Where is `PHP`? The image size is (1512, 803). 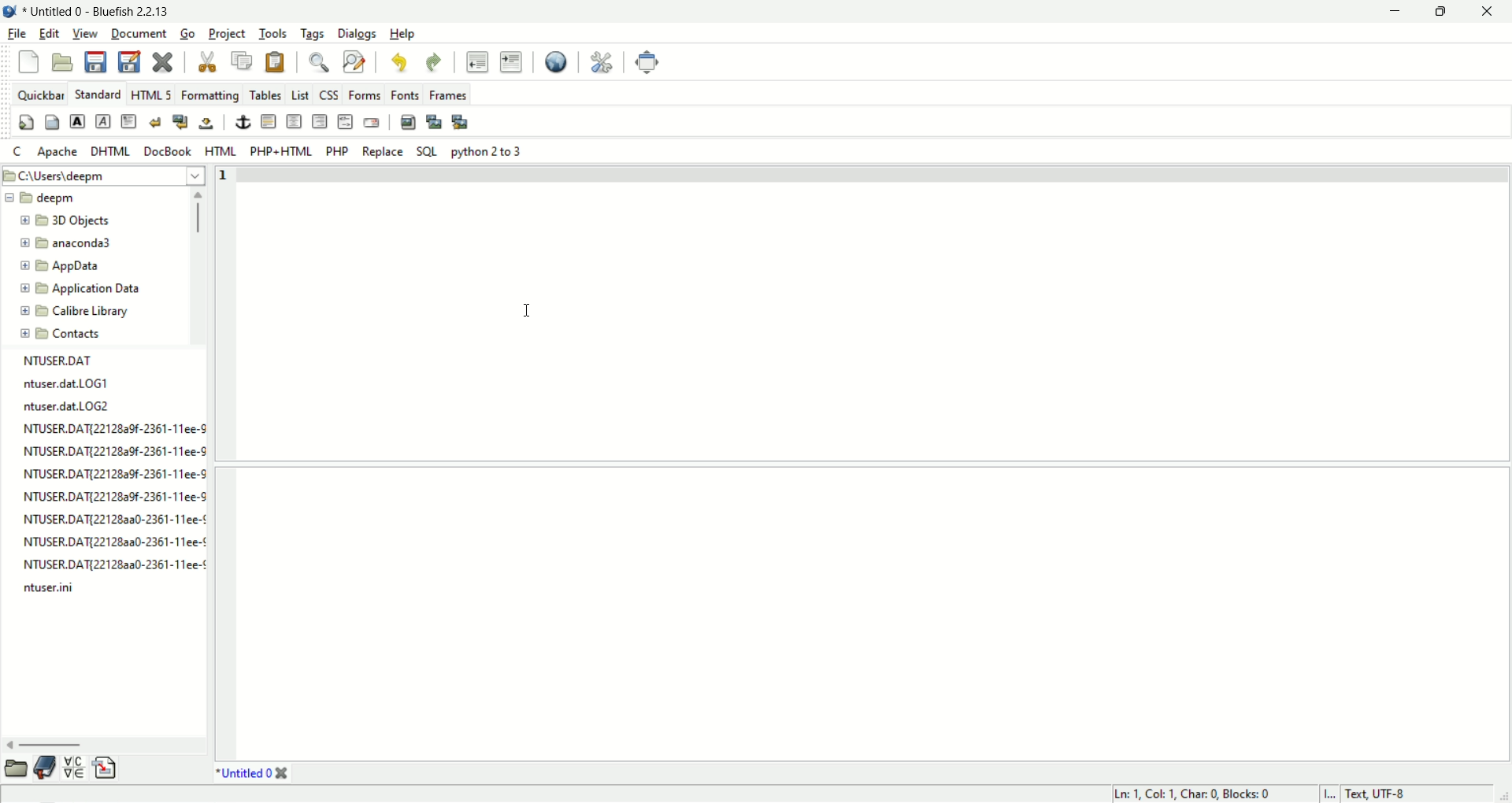
PHP is located at coordinates (339, 151).